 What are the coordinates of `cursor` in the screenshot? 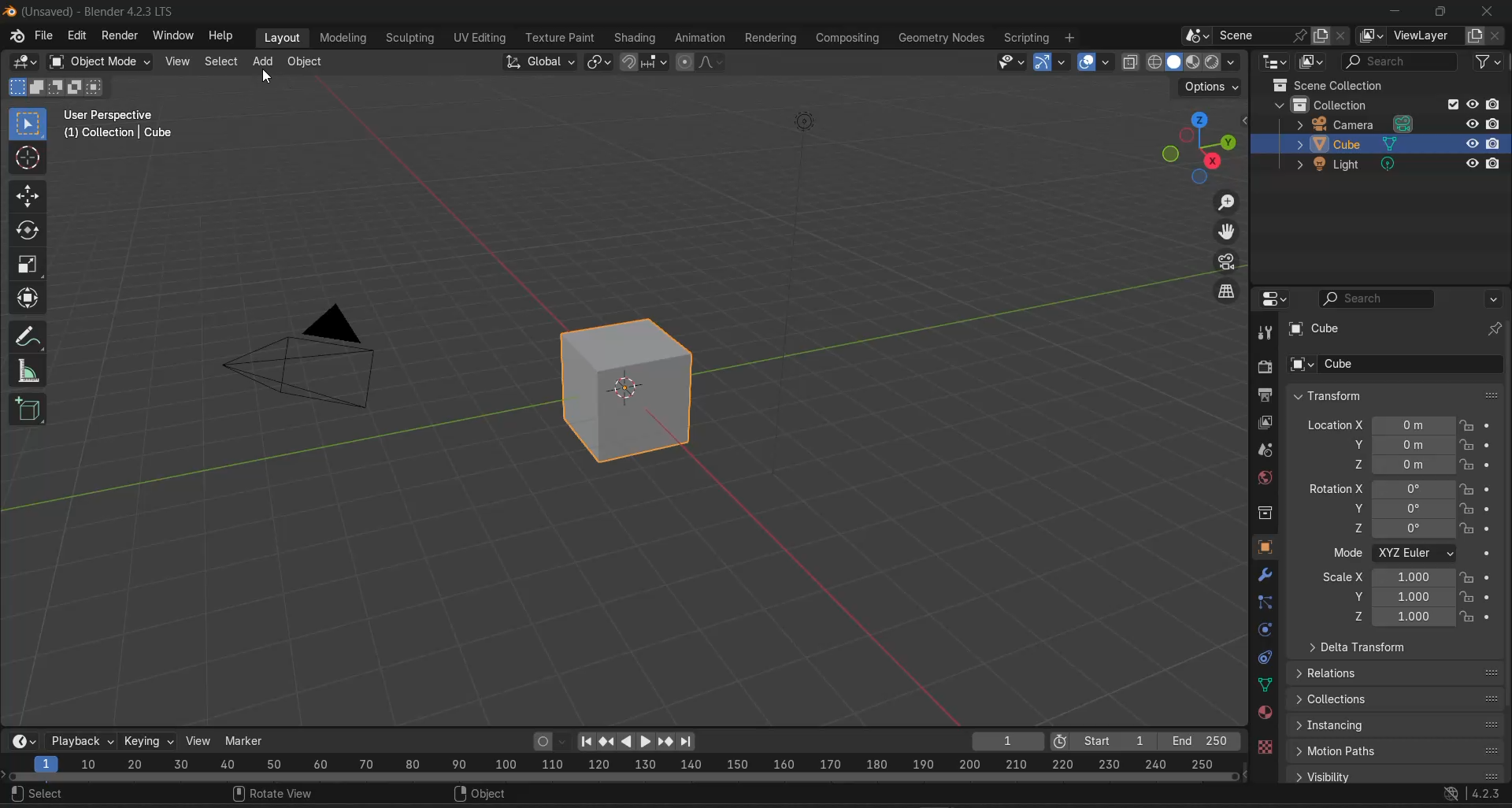 It's located at (269, 77).